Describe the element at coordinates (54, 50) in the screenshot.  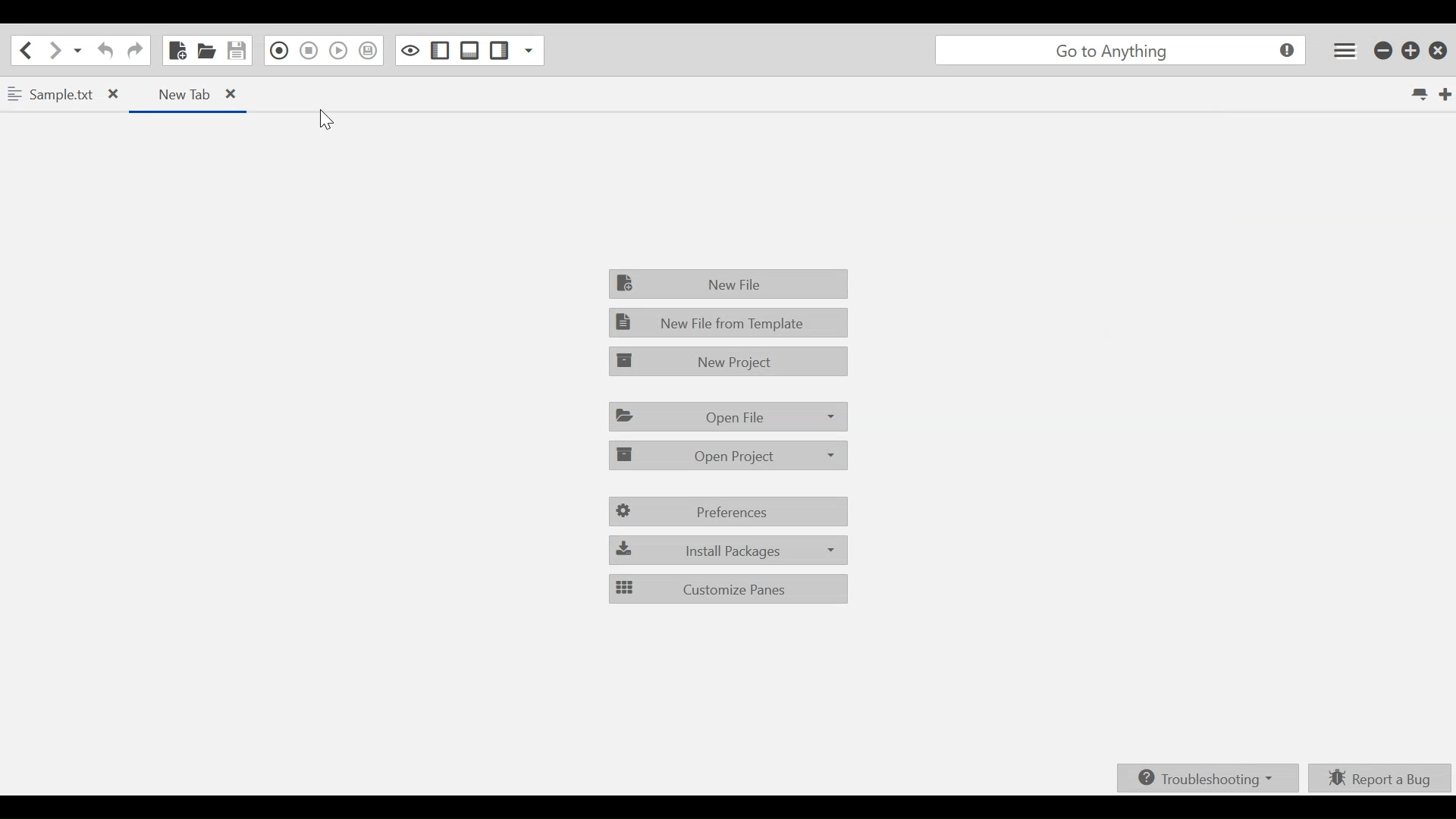
I see `Go Forward one location` at that location.